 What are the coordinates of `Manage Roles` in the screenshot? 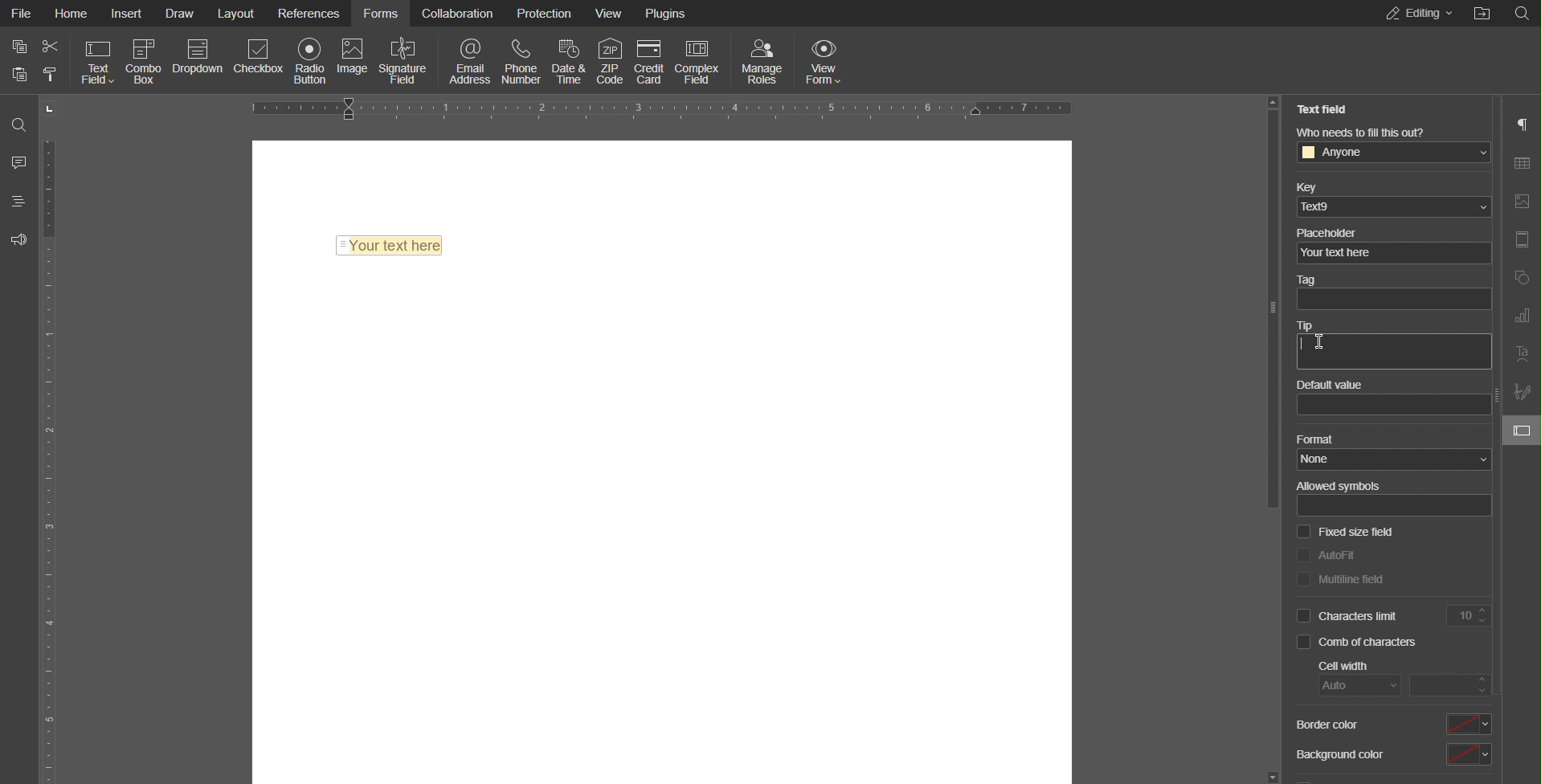 It's located at (762, 59).